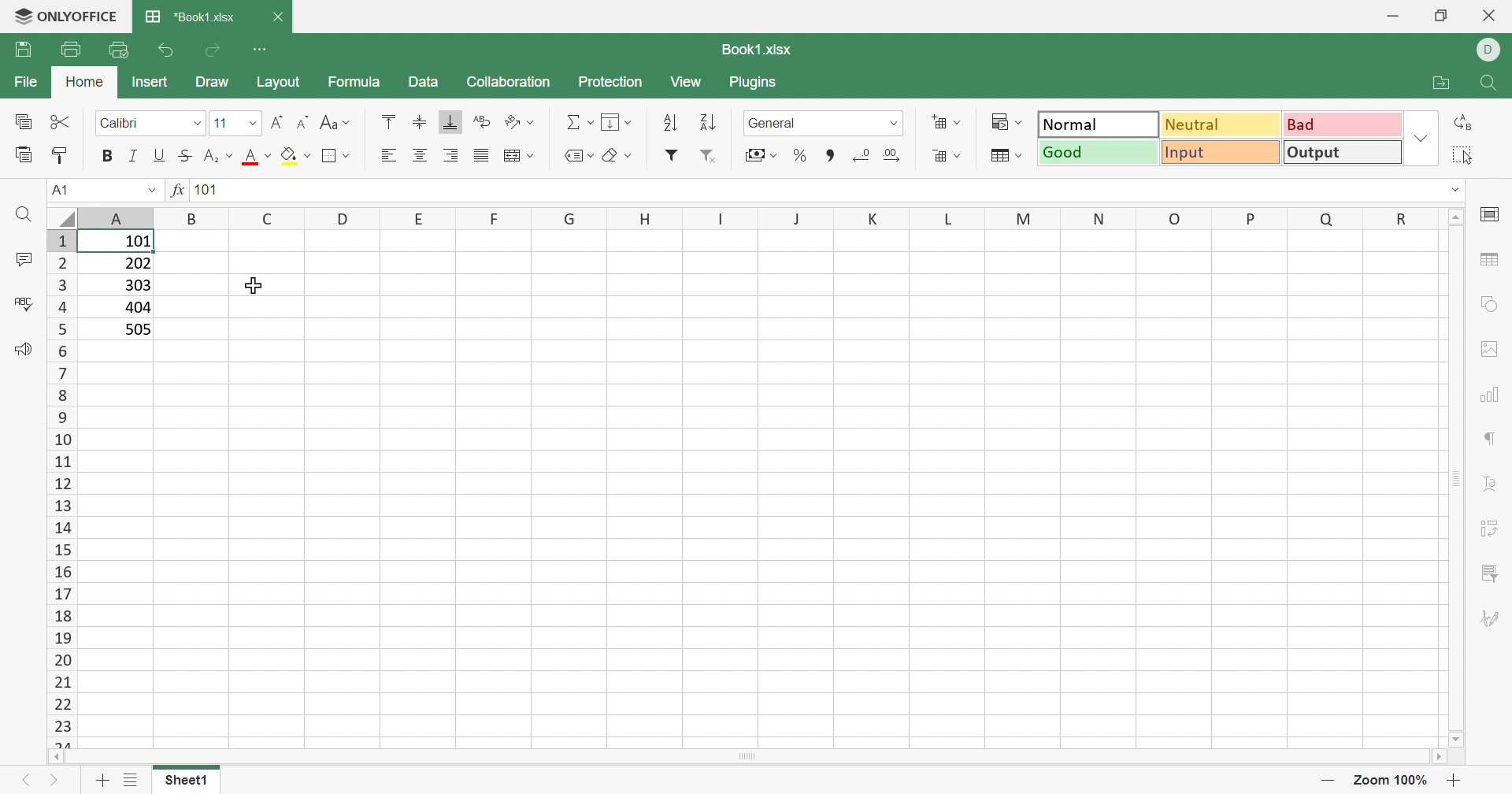 Image resolution: width=1512 pixels, height=794 pixels. I want to click on Delete cells, so click(947, 156).